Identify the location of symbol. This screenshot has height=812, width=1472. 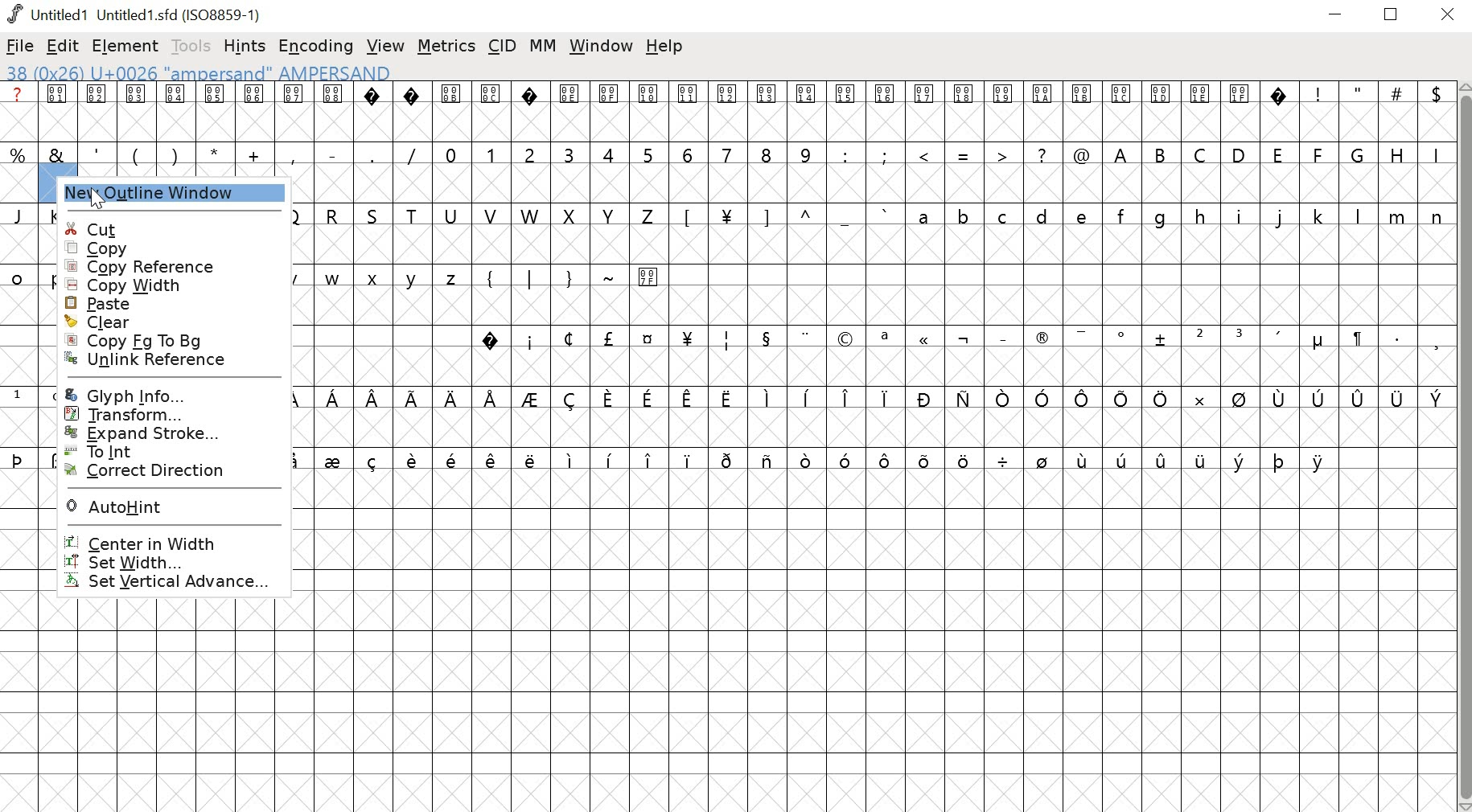
(649, 338).